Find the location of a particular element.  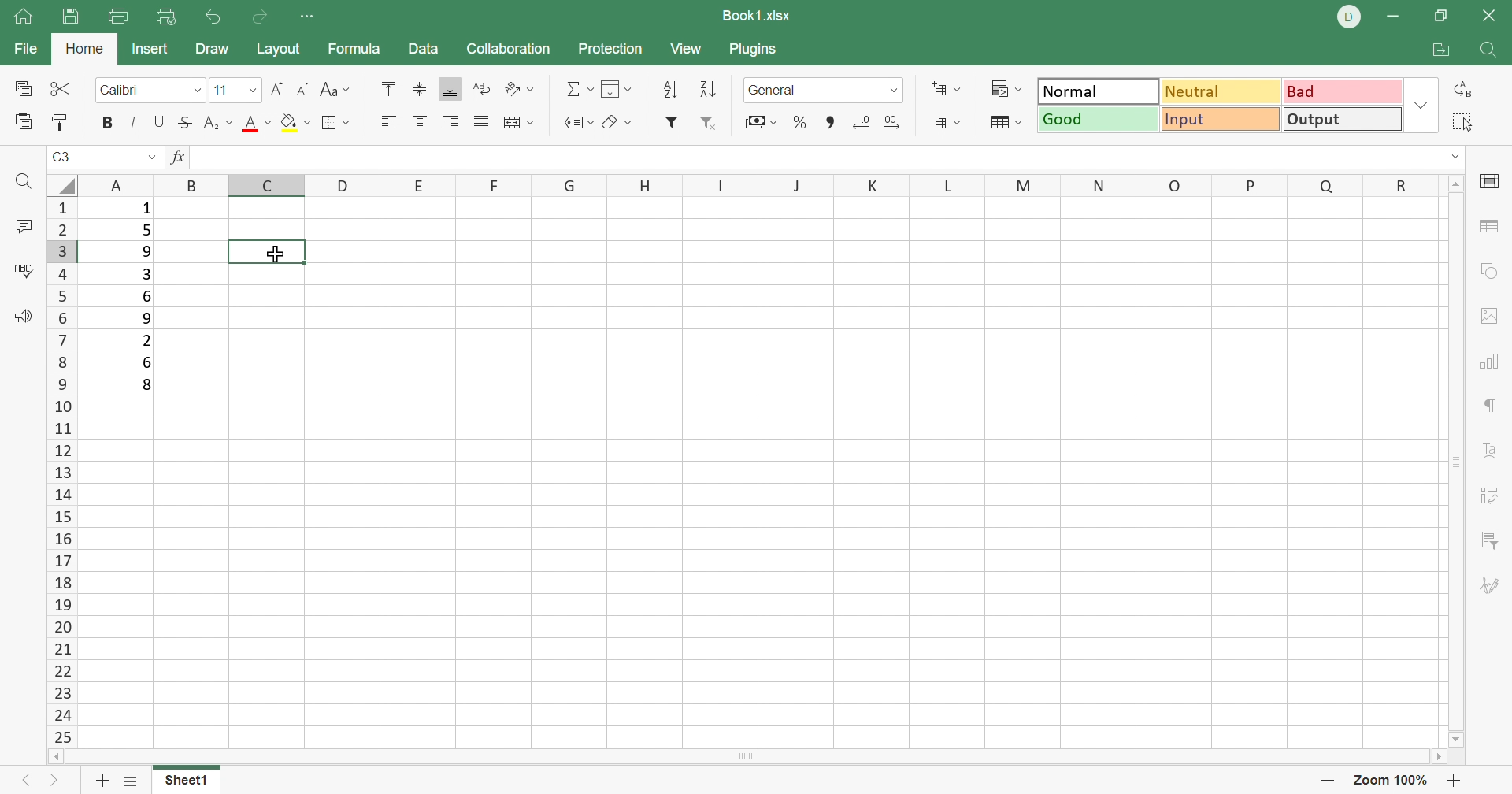

Restore Down is located at coordinates (1440, 14).